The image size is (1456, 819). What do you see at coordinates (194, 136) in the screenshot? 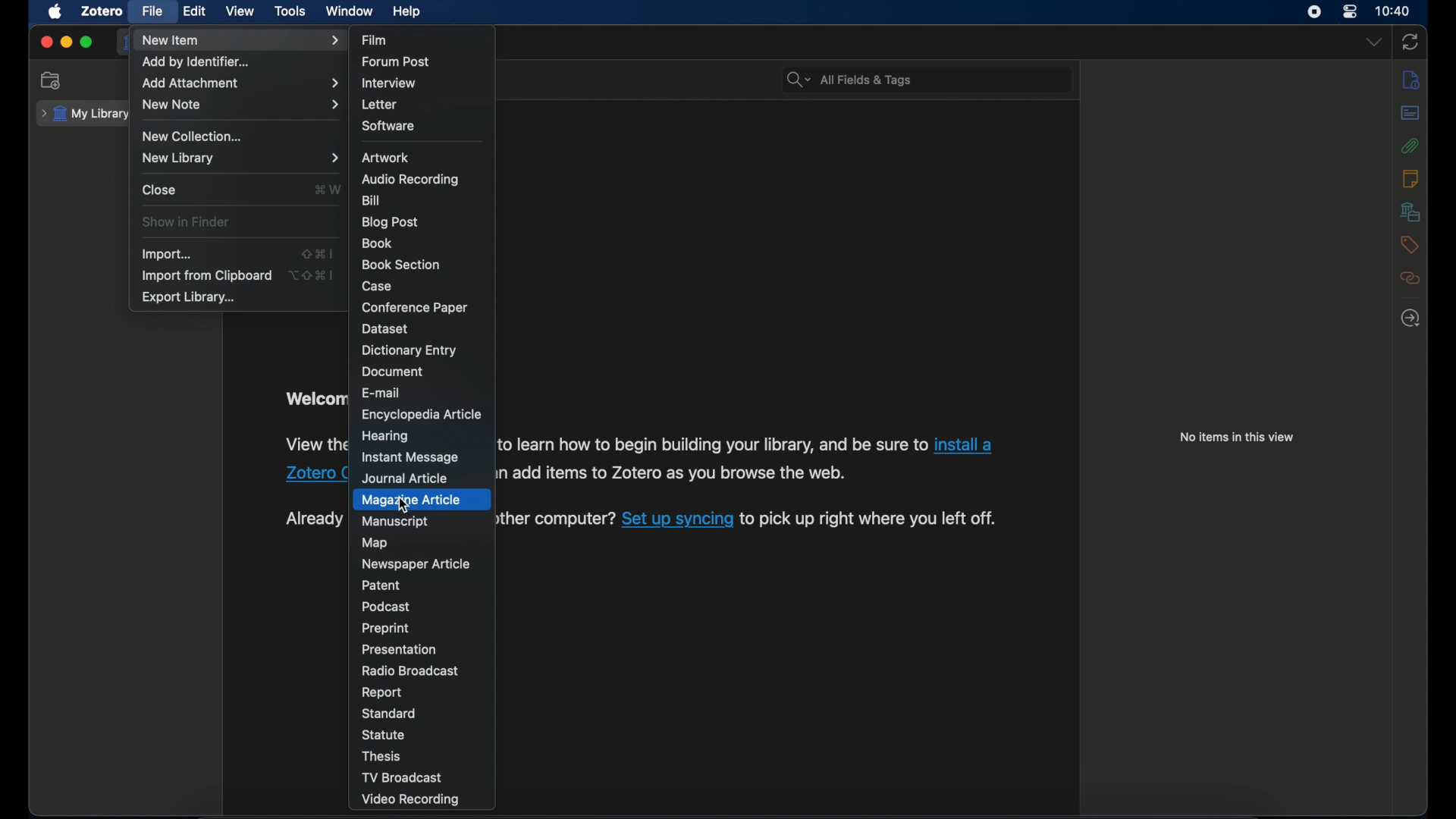
I see `new collection` at bounding box center [194, 136].